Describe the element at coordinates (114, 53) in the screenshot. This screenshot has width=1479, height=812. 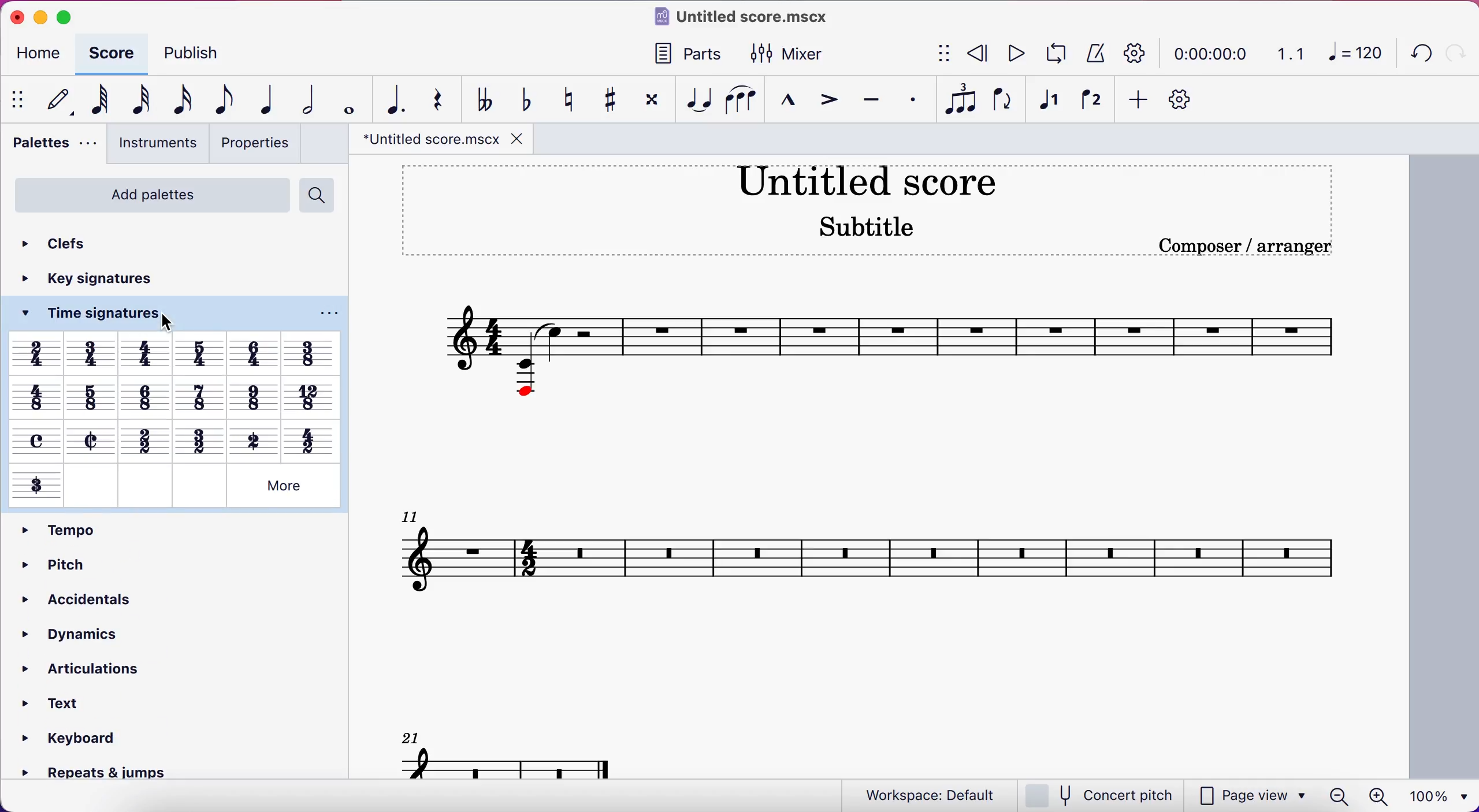
I see `score` at that location.